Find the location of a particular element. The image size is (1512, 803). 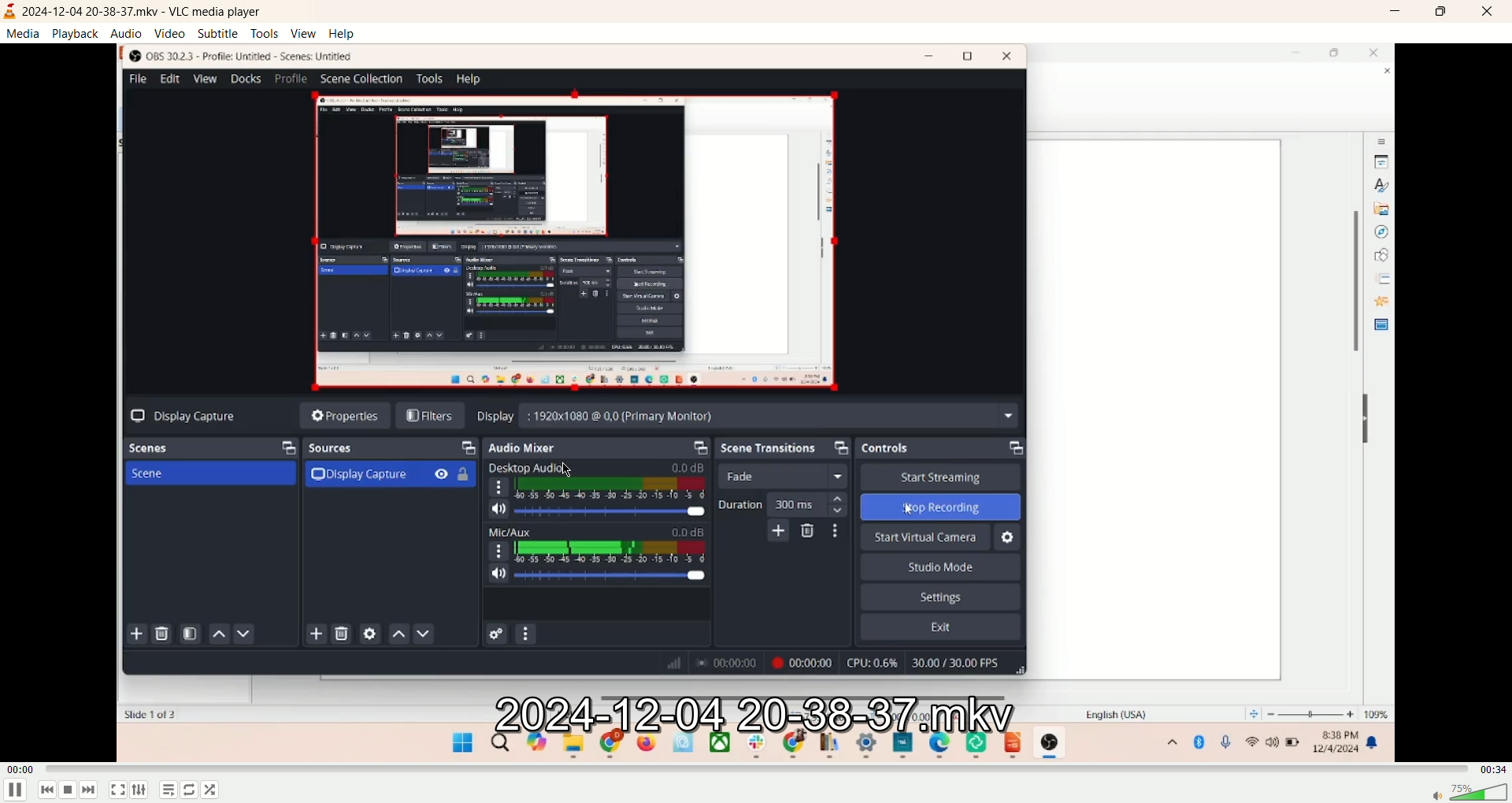

next is located at coordinates (89, 790).